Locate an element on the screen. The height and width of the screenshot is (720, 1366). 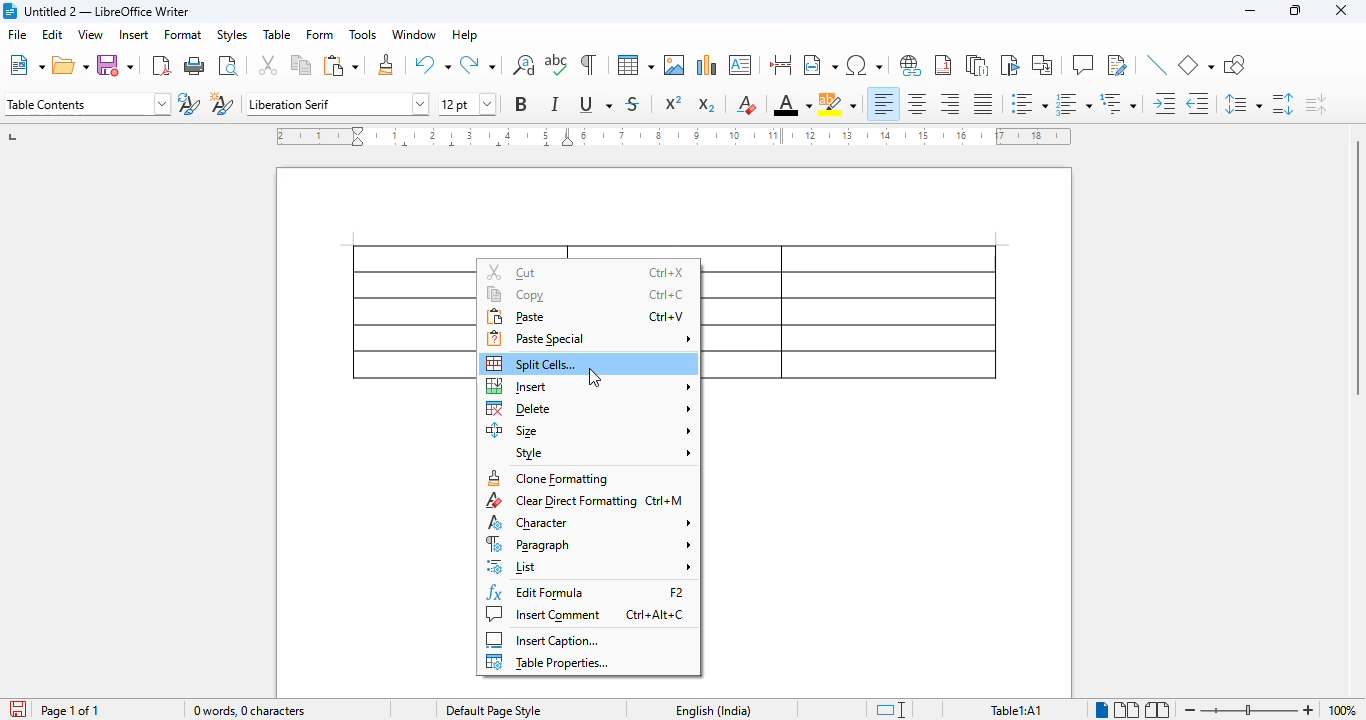
book view is located at coordinates (1157, 709).